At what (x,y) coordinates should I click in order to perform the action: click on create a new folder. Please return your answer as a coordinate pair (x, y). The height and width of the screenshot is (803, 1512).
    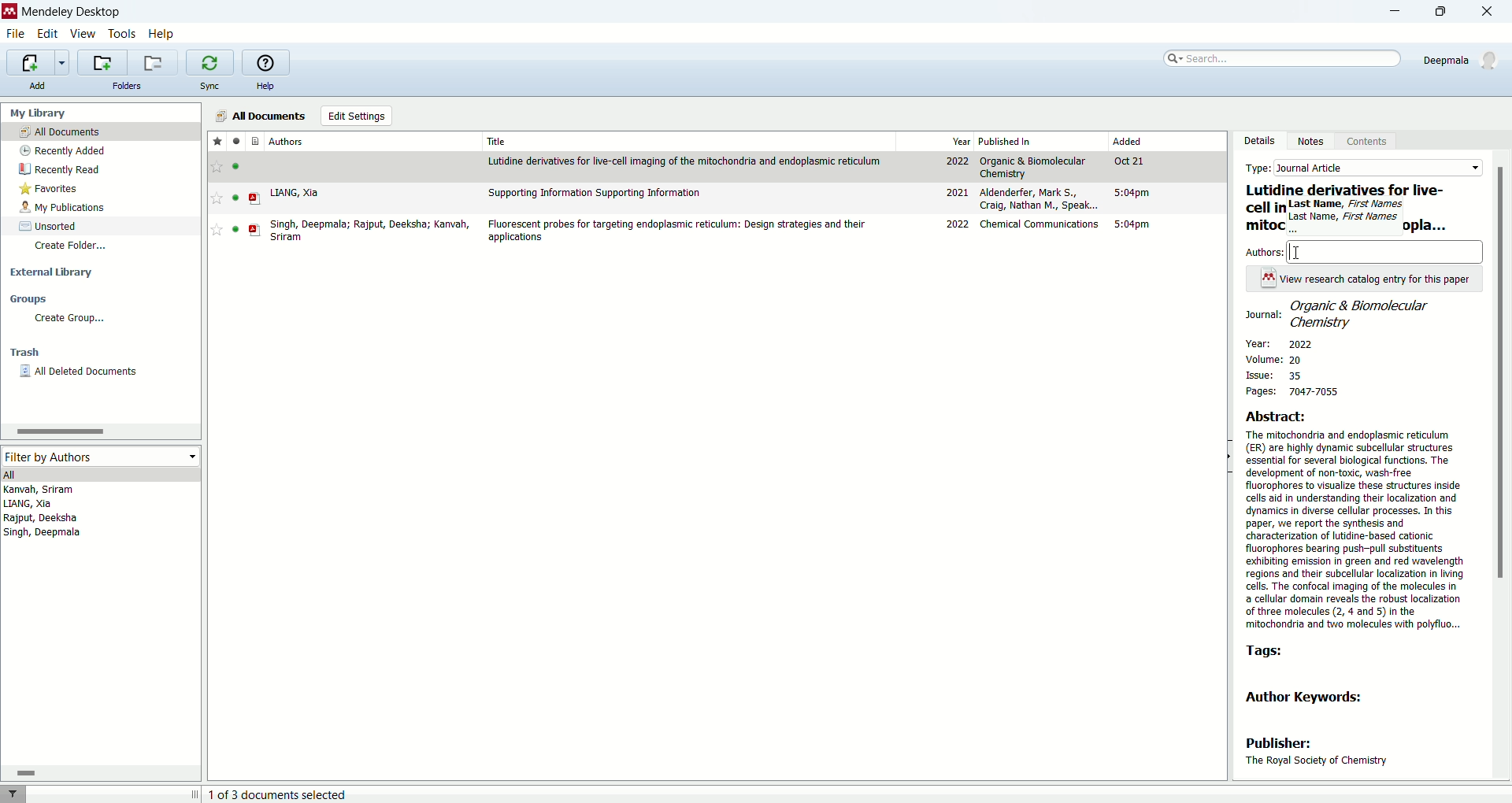
    Looking at the image, I should click on (103, 63).